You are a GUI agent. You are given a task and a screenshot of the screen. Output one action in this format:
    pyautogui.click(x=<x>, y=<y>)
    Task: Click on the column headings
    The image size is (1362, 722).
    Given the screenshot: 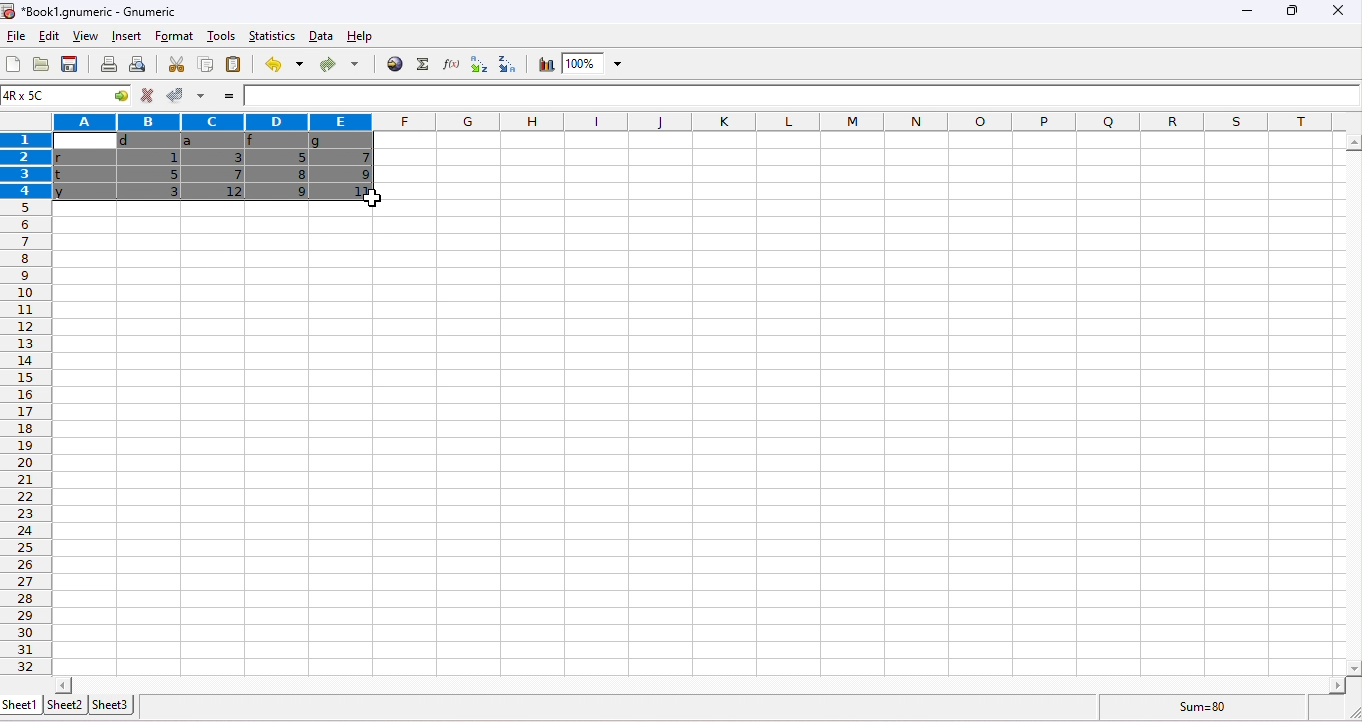 What is the action you would take?
    pyautogui.click(x=674, y=122)
    